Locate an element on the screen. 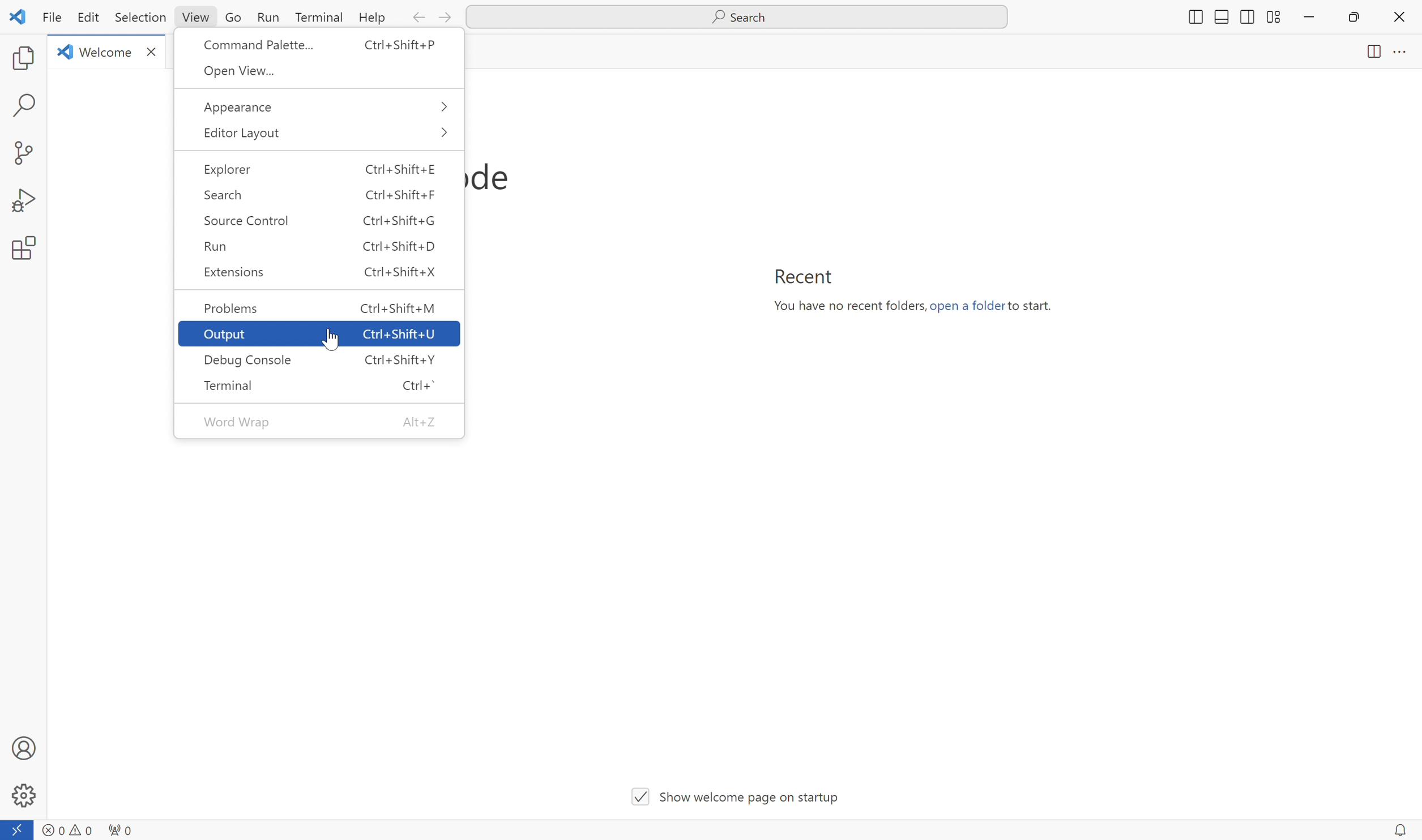 This screenshot has height=840, width=1422. File is located at coordinates (53, 20).